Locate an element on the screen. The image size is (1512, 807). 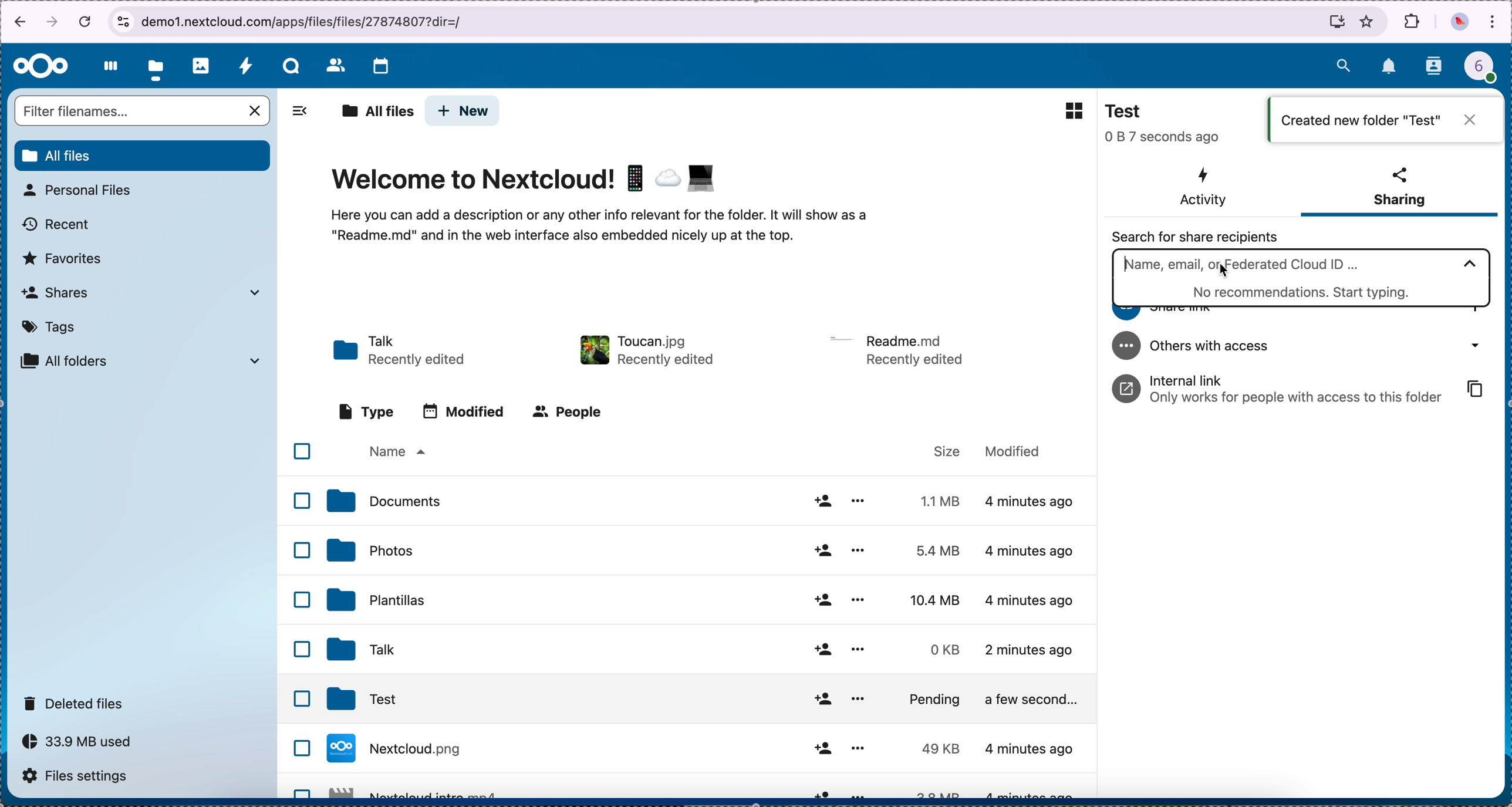
search is located at coordinates (1343, 63).